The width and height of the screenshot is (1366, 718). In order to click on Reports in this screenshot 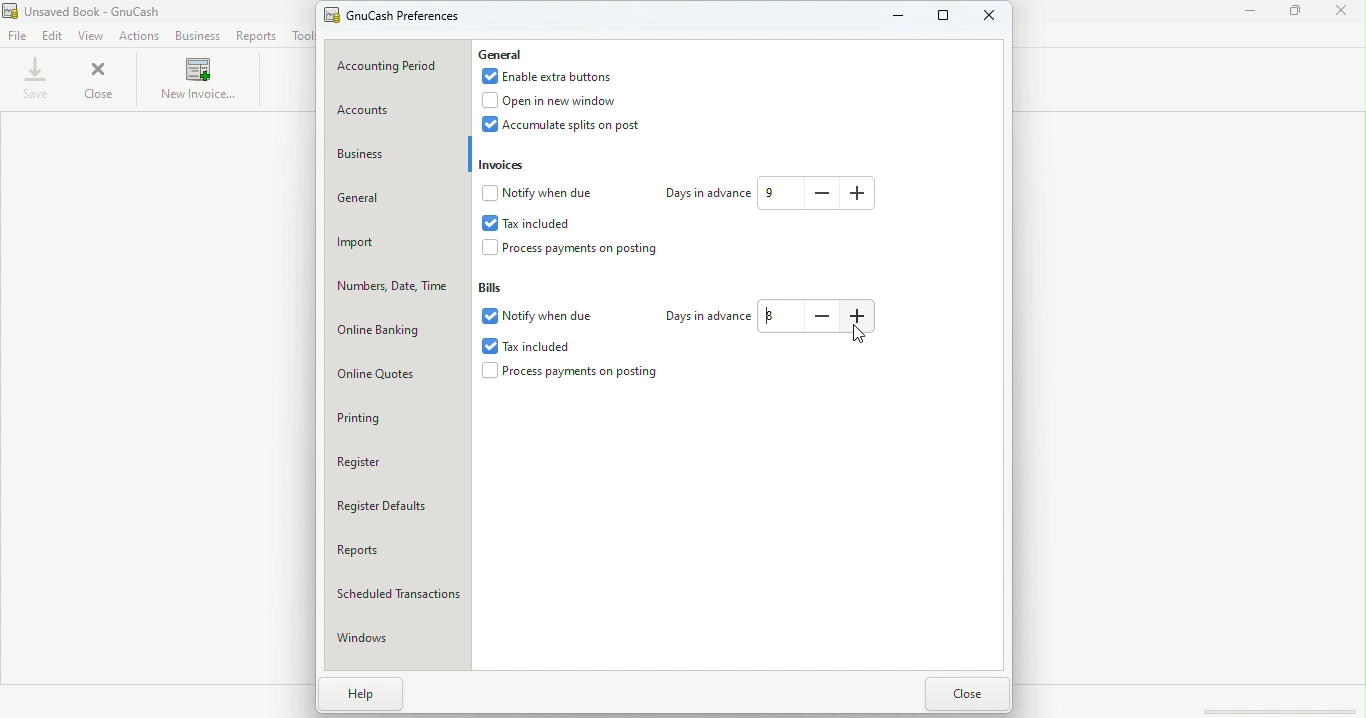, I will do `click(393, 550)`.